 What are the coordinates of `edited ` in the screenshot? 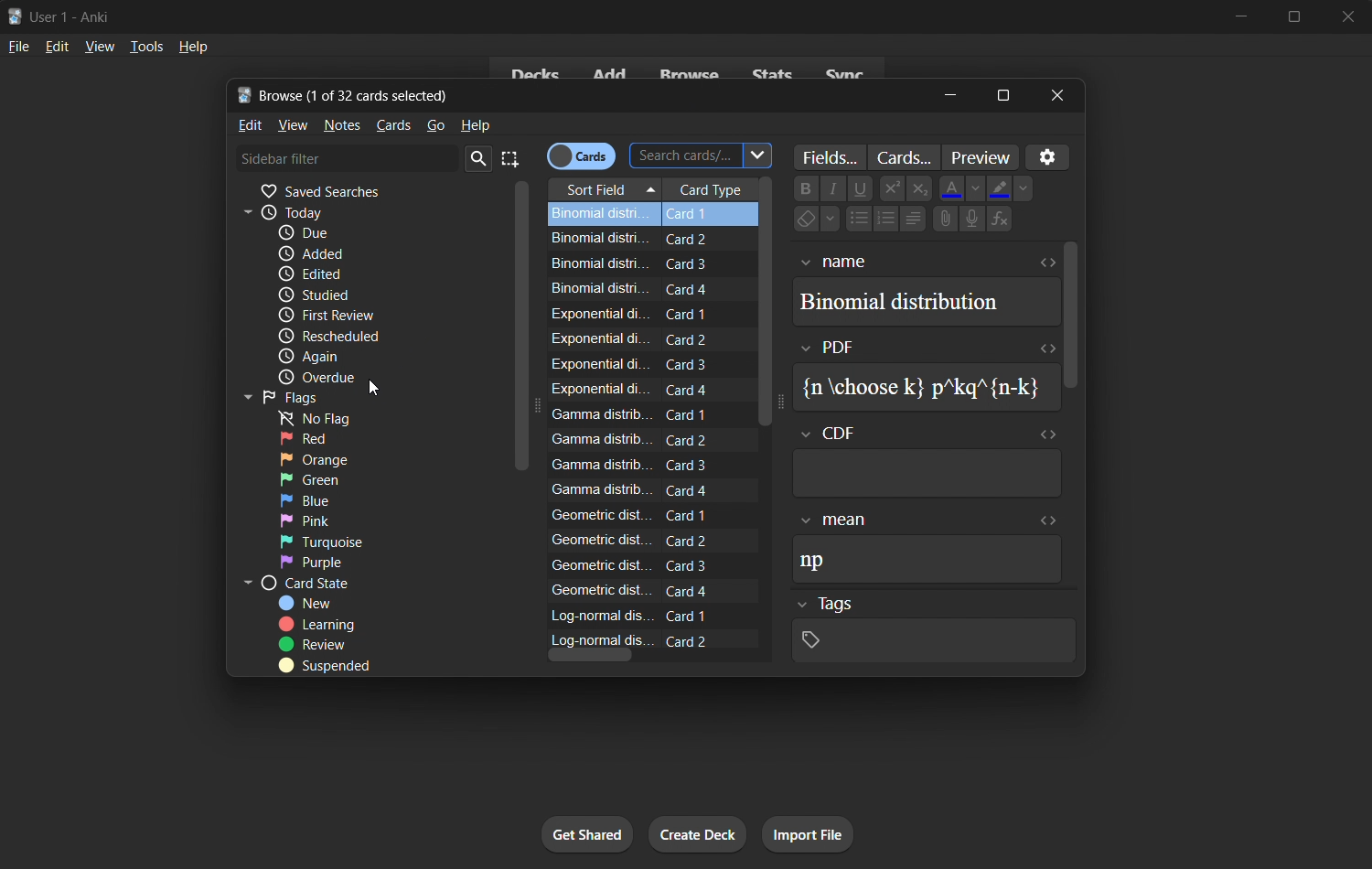 It's located at (373, 272).